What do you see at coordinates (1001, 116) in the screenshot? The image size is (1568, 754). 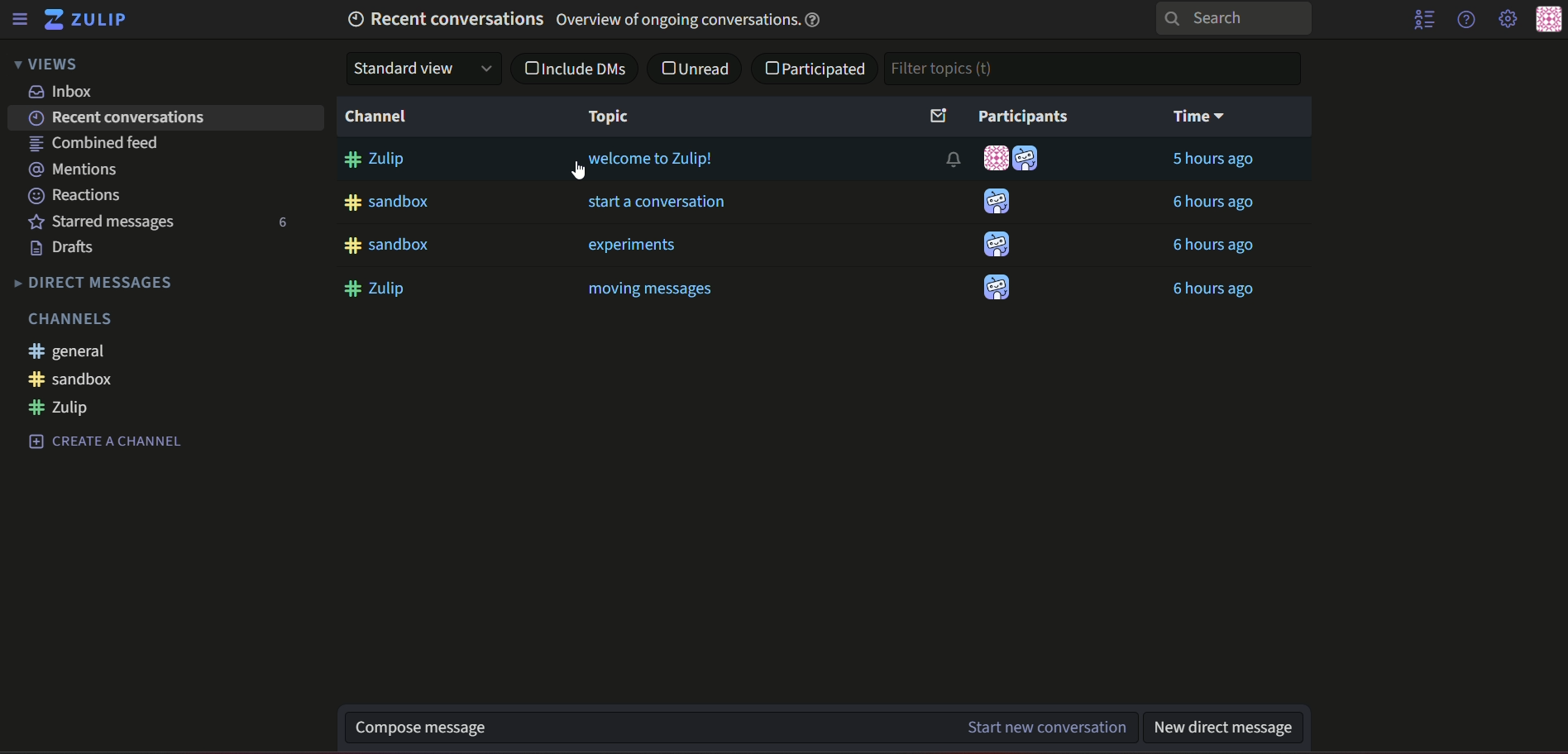 I see `Participants` at bounding box center [1001, 116].